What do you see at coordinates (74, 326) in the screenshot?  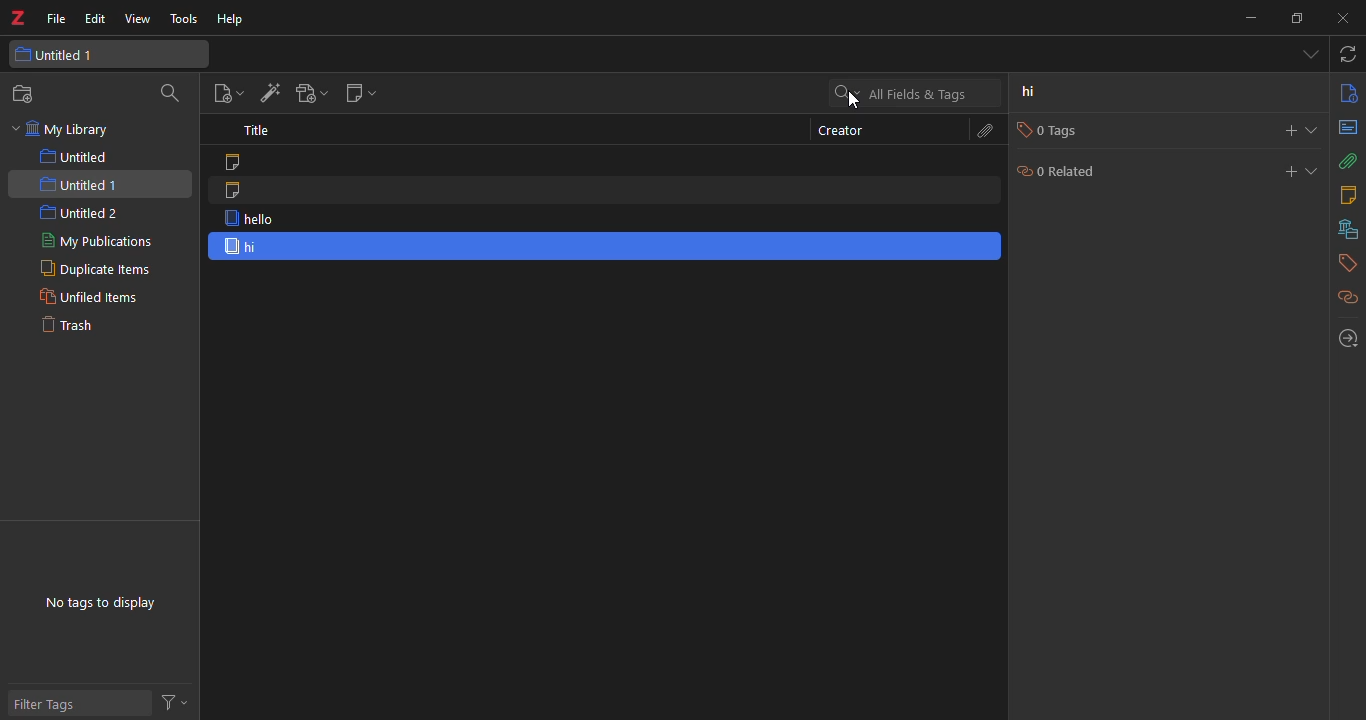 I see `trash` at bounding box center [74, 326].